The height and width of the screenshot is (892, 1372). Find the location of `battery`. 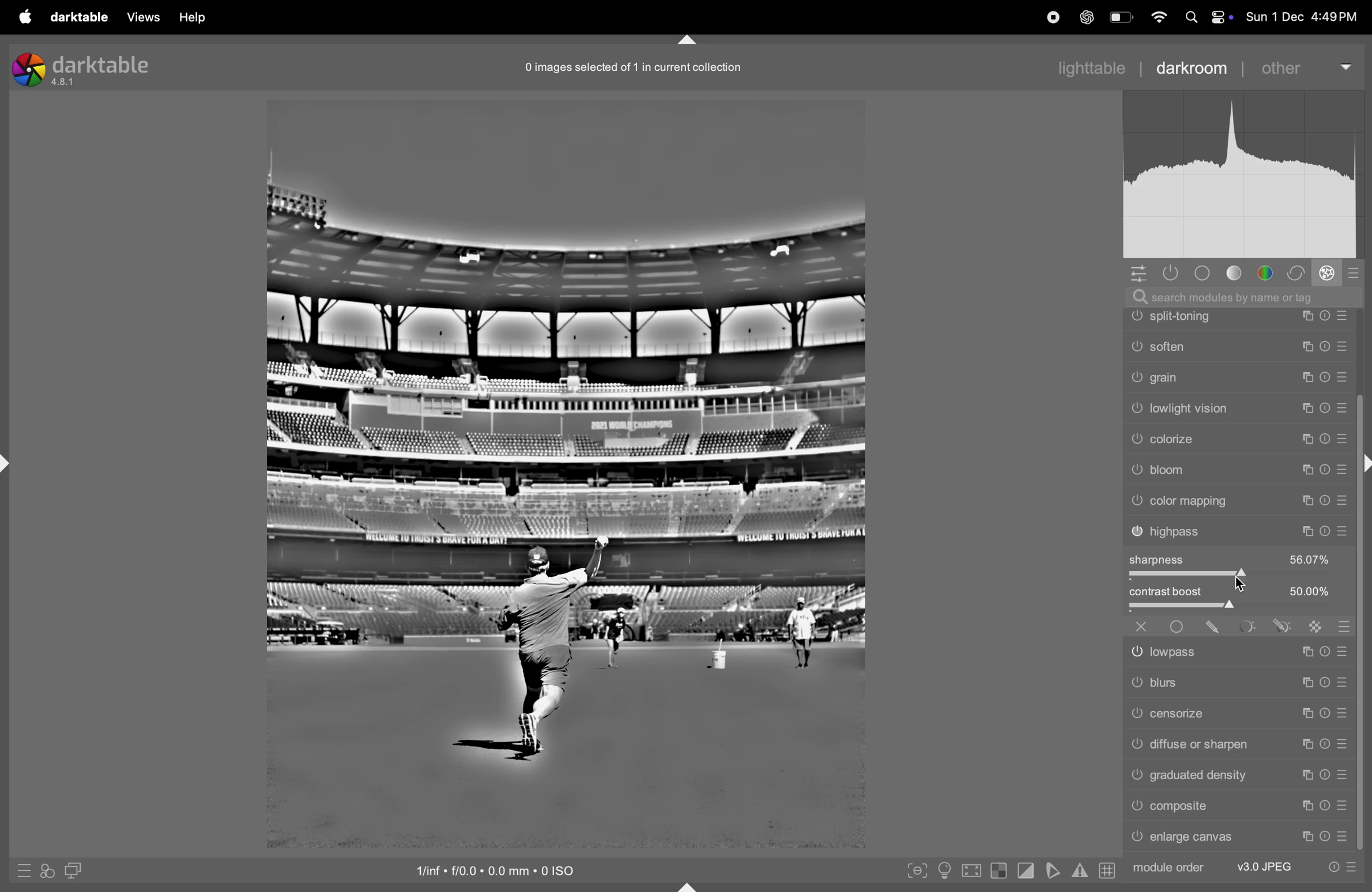

battery is located at coordinates (1120, 17).